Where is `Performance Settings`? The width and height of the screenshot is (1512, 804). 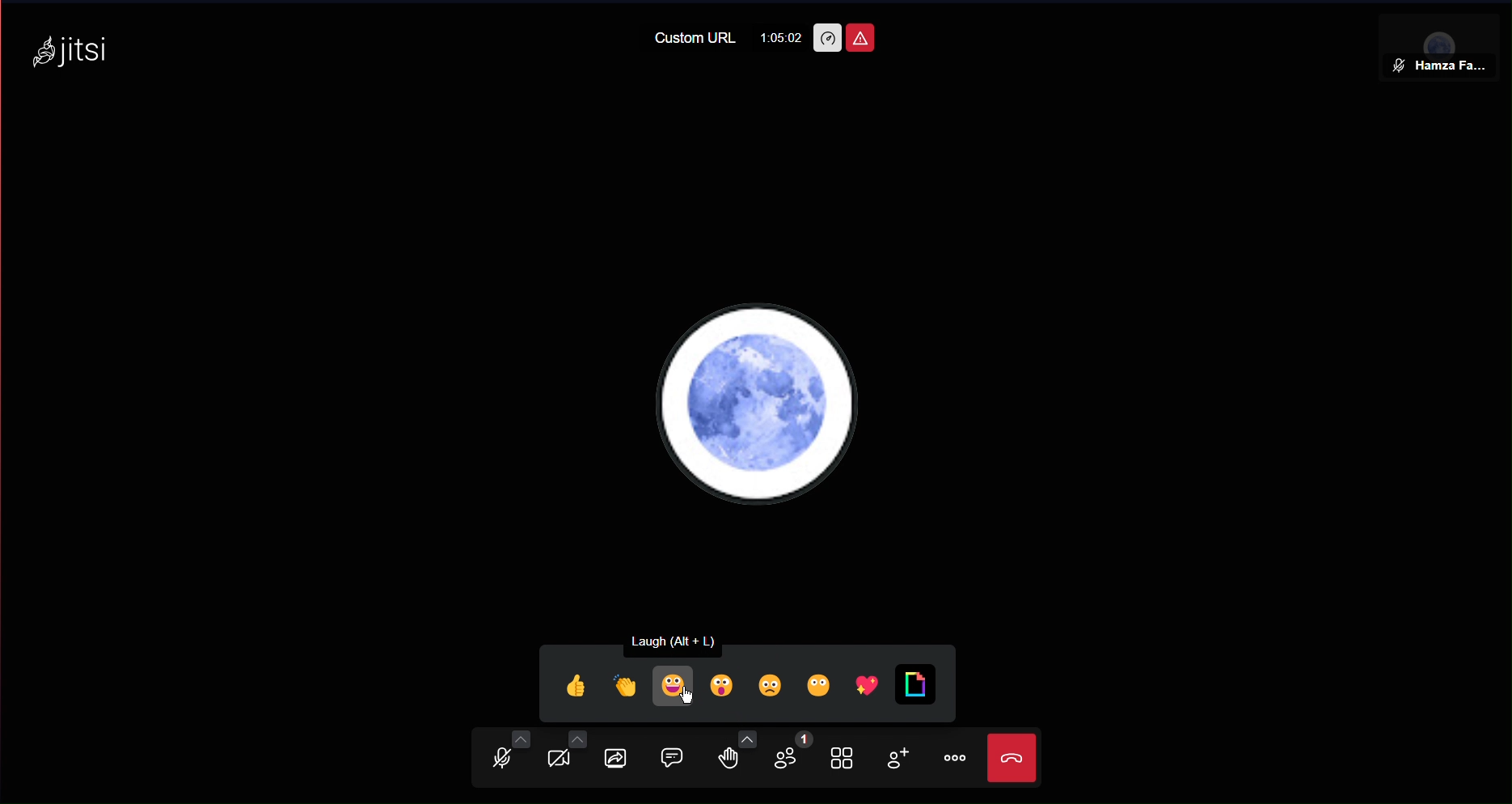 Performance Settings is located at coordinates (826, 38).